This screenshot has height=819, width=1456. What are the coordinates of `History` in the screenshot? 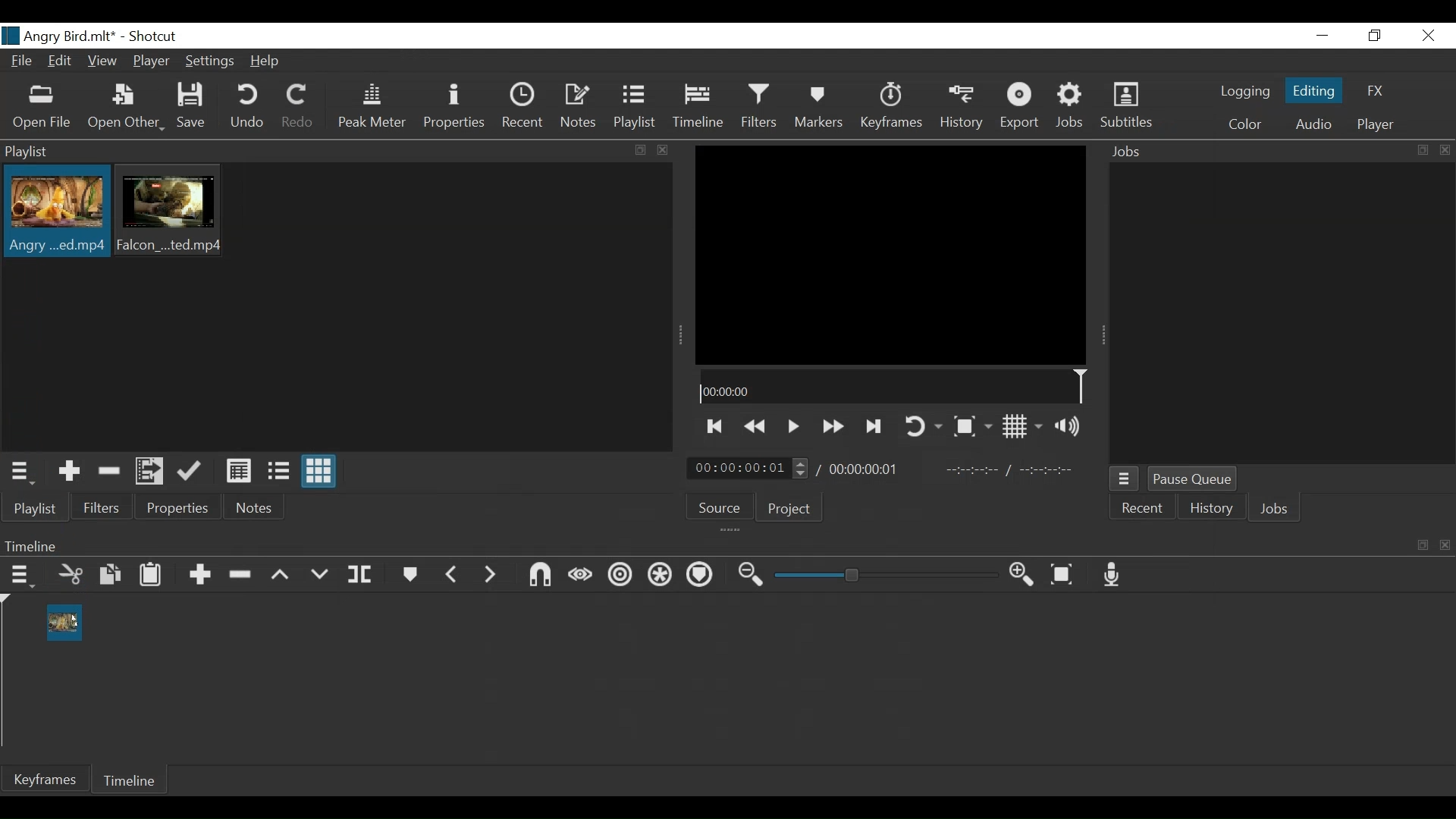 It's located at (1208, 510).